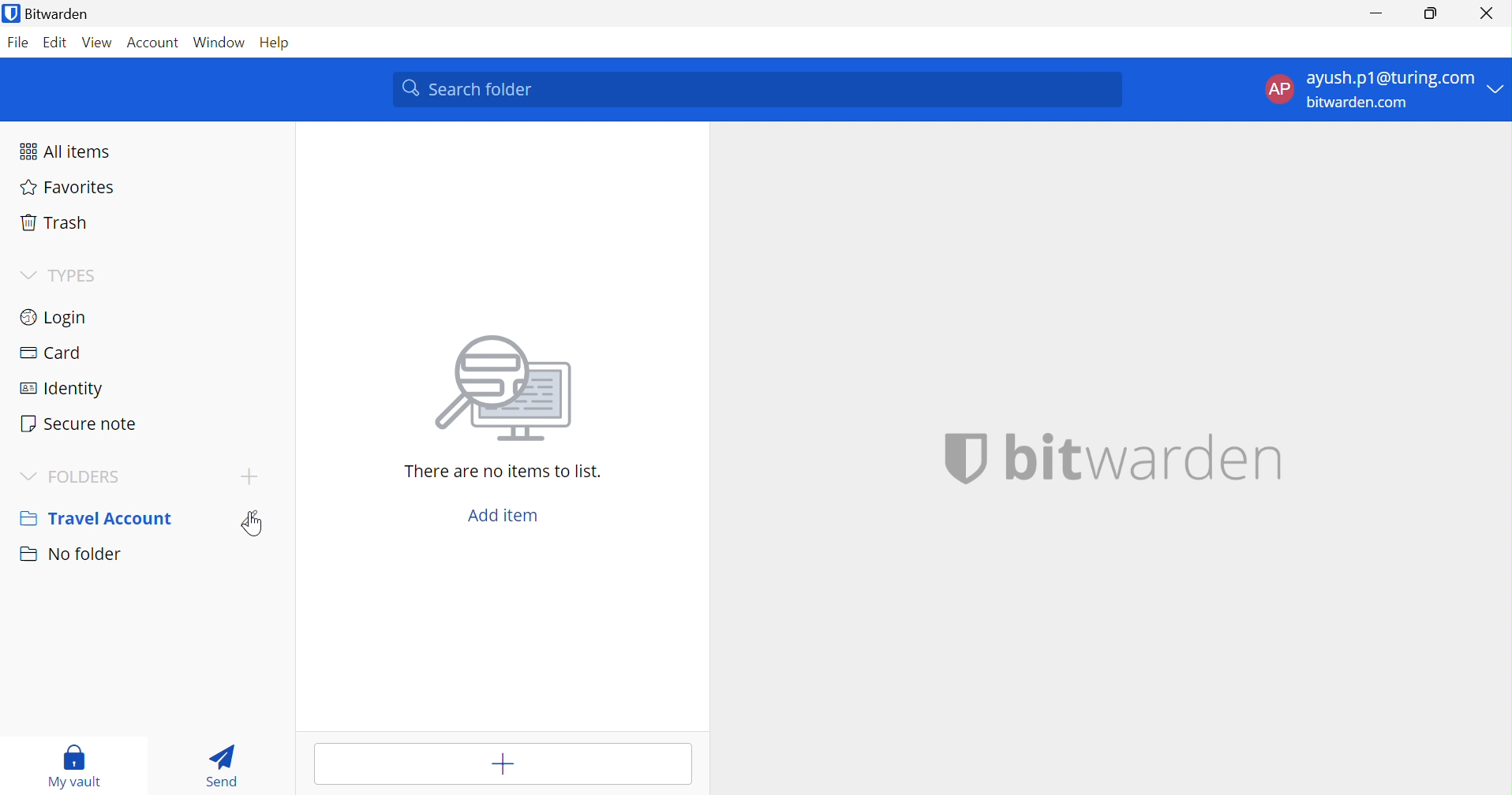 The height and width of the screenshot is (795, 1512). Describe the element at coordinates (66, 151) in the screenshot. I see `All items` at that location.